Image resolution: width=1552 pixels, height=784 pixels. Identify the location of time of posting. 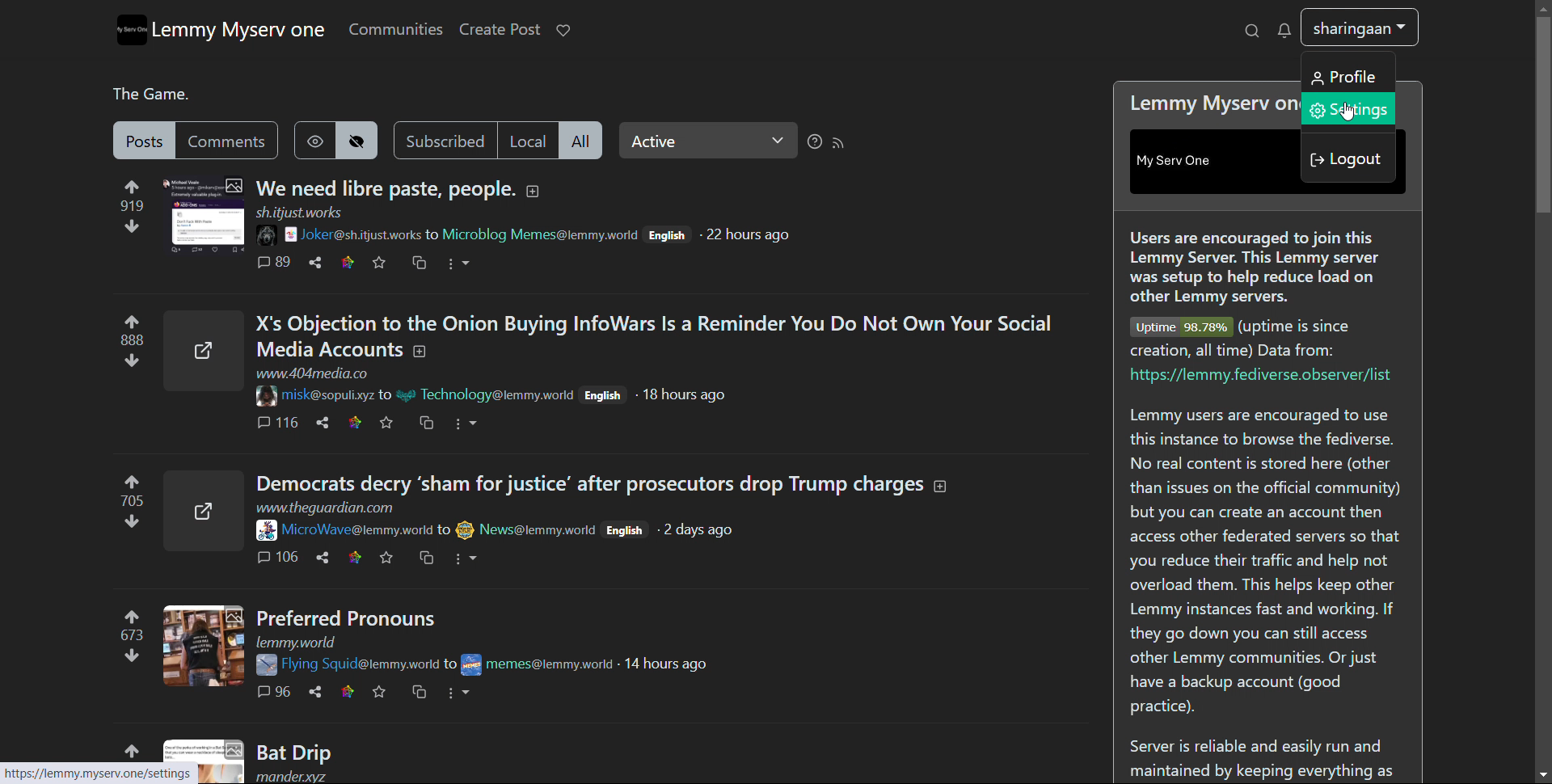
(676, 665).